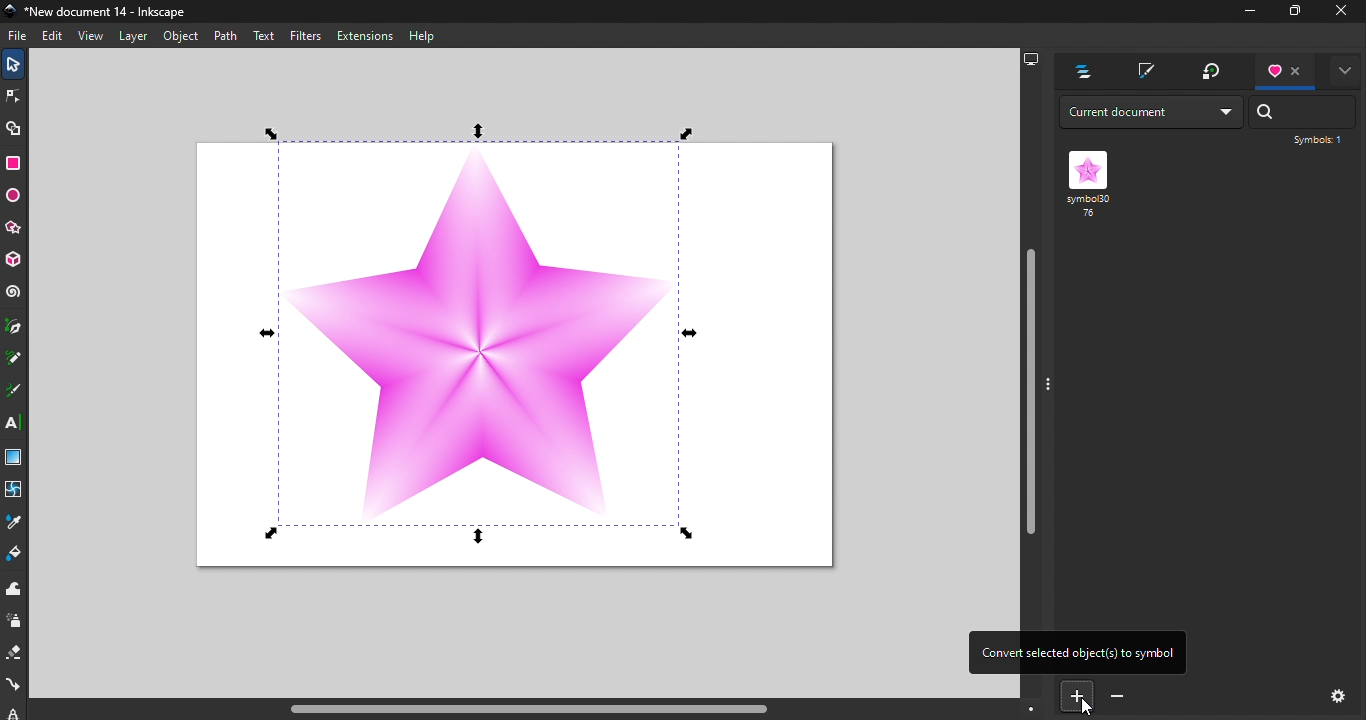 The height and width of the screenshot is (720, 1366). Describe the element at coordinates (1342, 11) in the screenshot. I see `close` at that location.